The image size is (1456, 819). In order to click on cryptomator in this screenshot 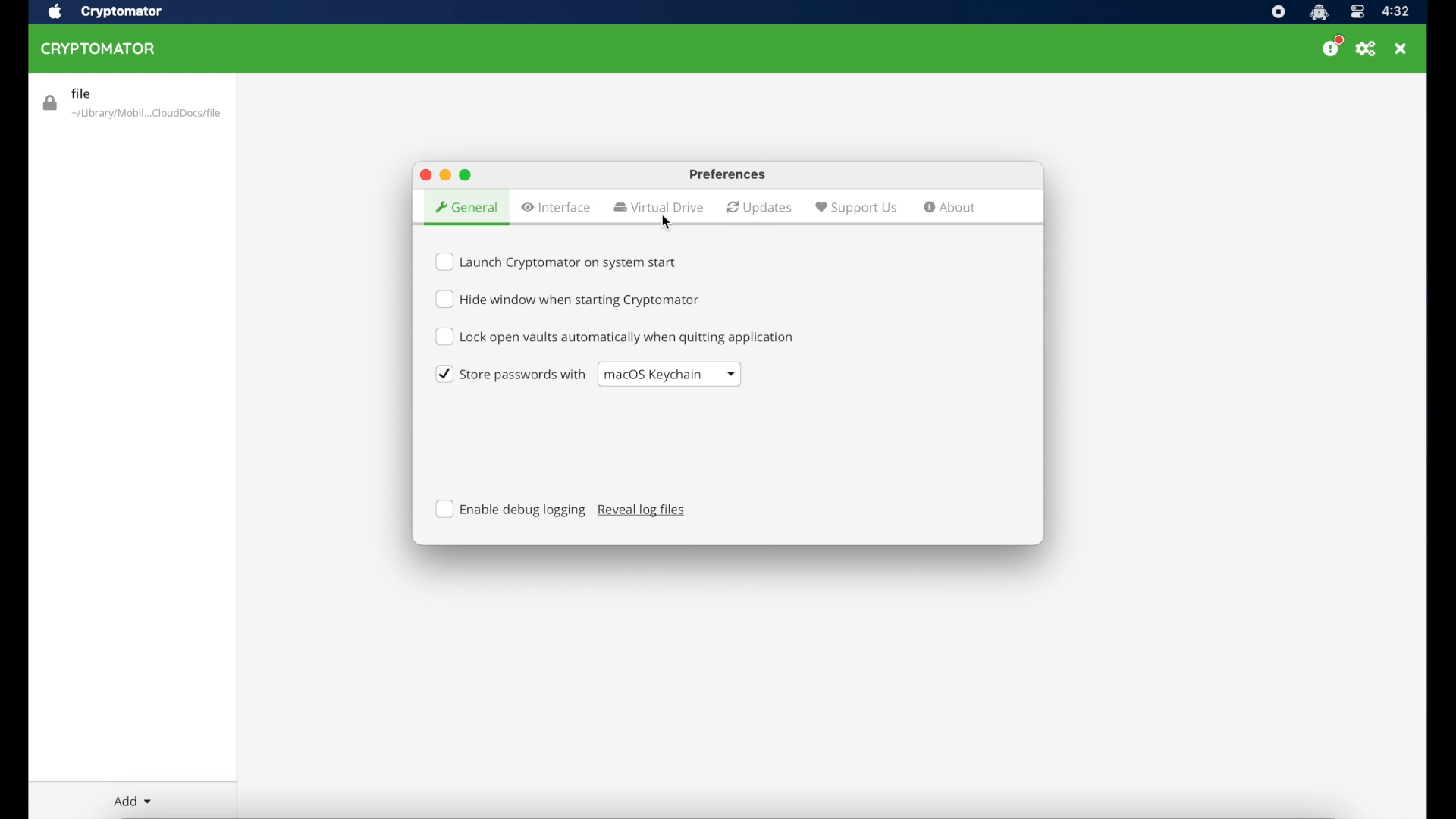, I will do `click(1318, 12)`.